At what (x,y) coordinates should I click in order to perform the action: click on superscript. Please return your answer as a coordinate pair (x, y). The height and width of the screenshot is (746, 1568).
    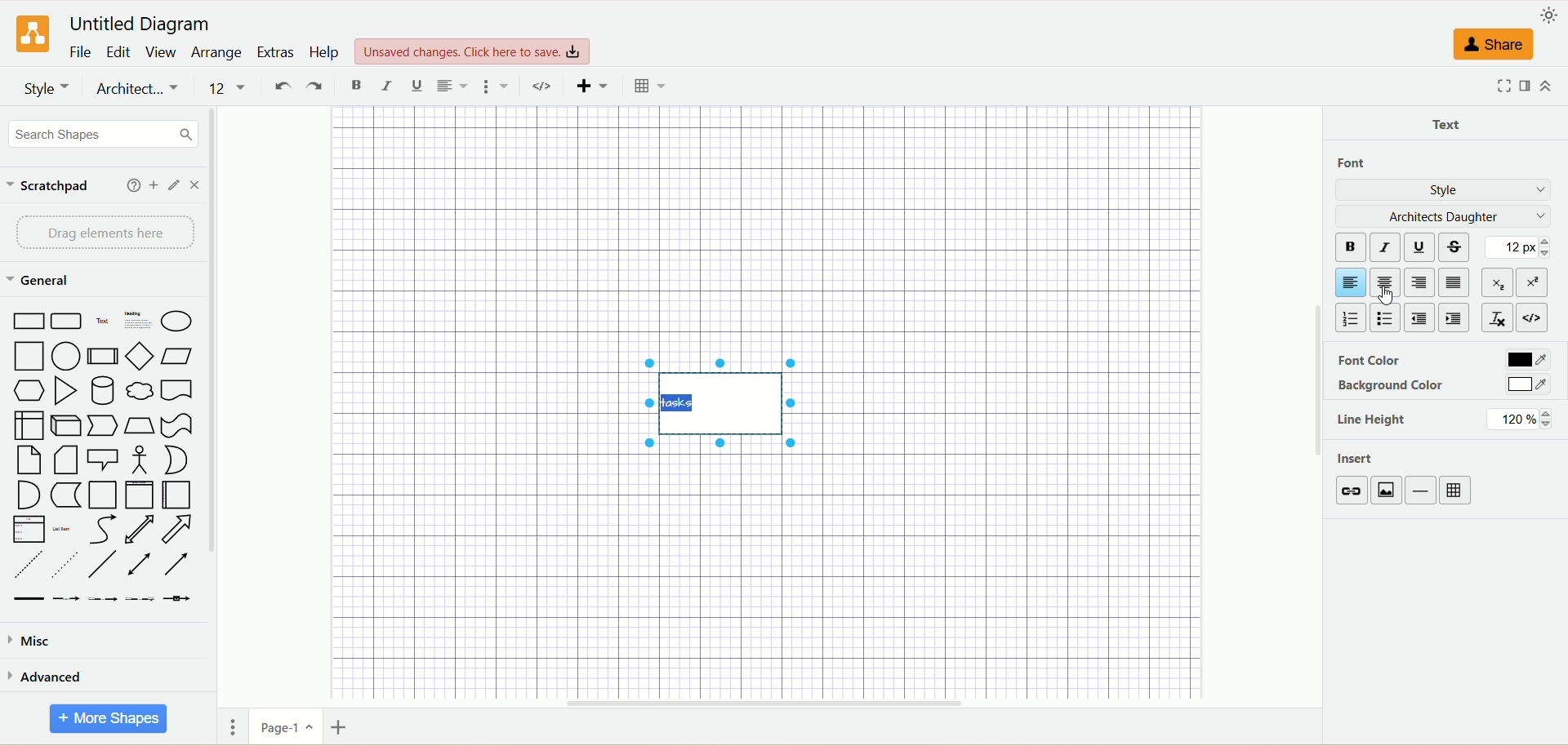
    Looking at the image, I should click on (1536, 283).